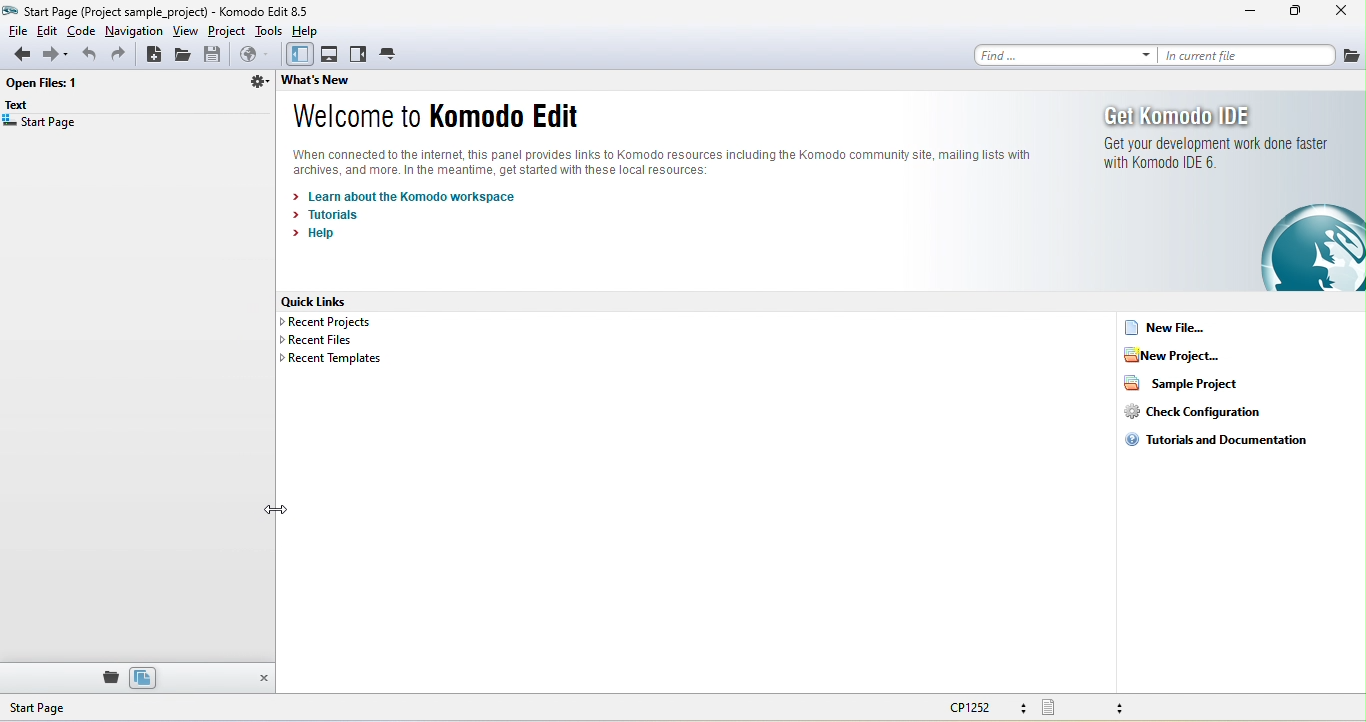 Image resolution: width=1366 pixels, height=722 pixels. I want to click on in current file, so click(1246, 55).